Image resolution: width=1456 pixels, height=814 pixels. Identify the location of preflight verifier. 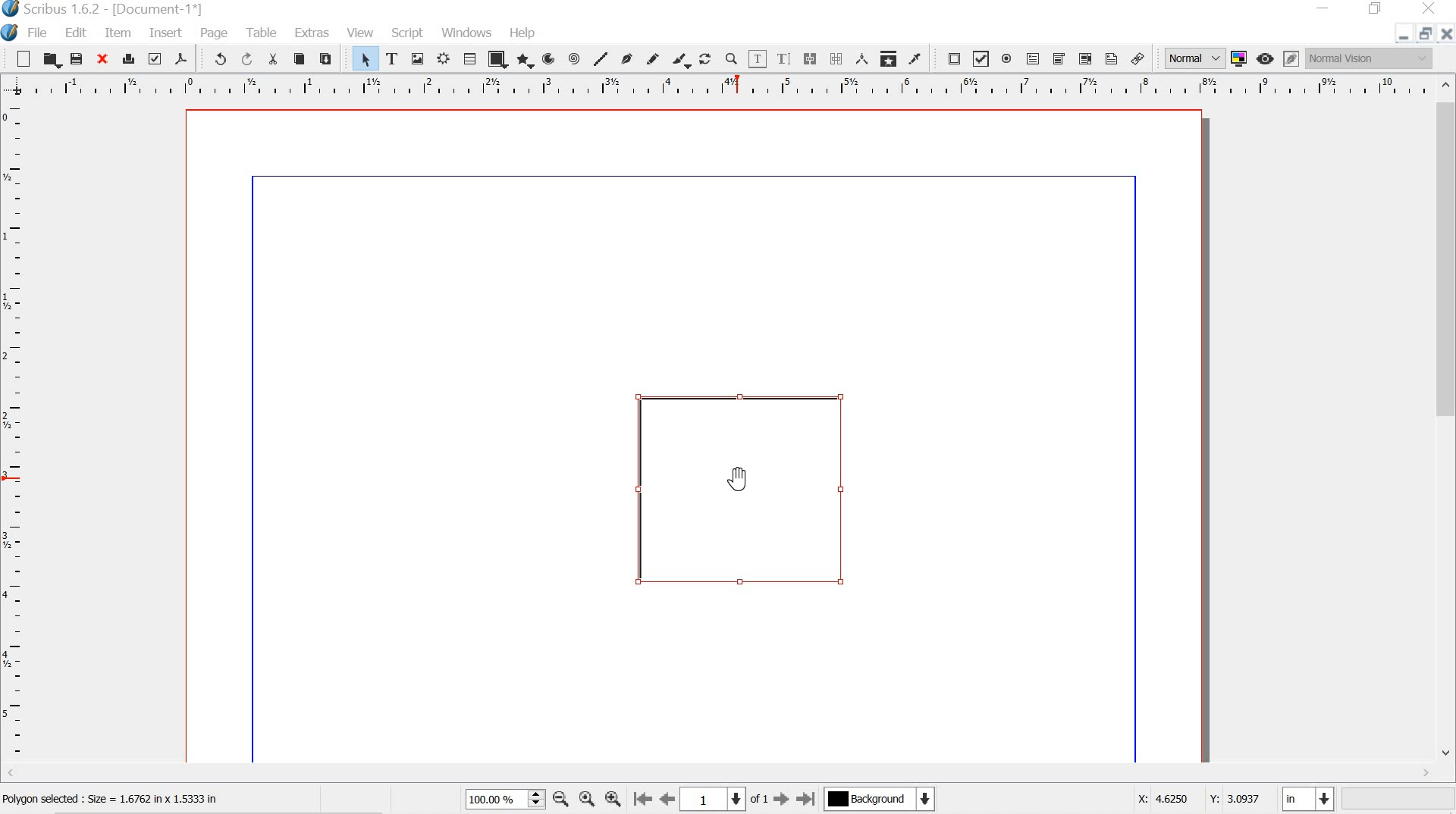
(155, 58).